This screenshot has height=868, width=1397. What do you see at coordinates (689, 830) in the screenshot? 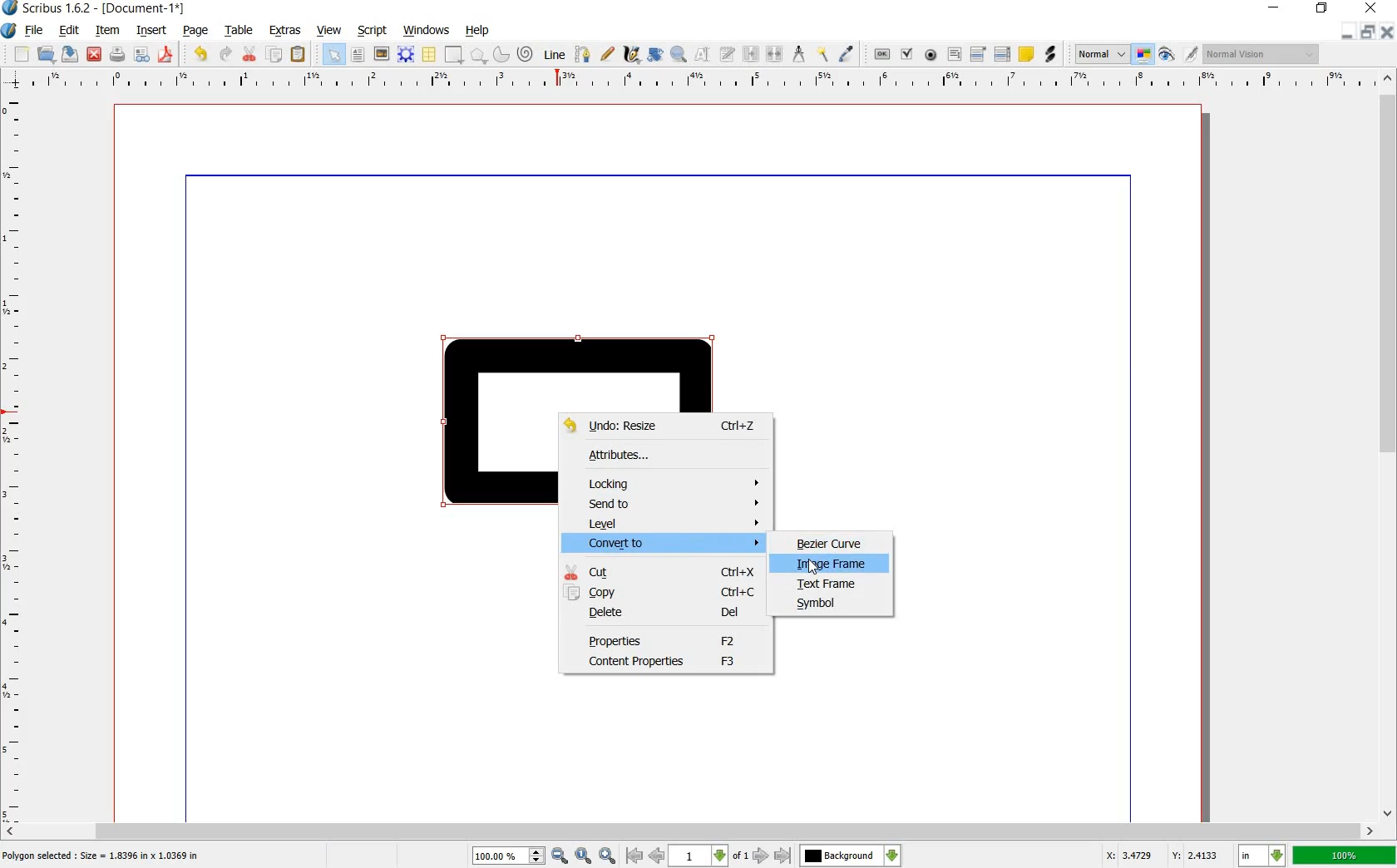
I see `scrollbar` at bounding box center [689, 830].